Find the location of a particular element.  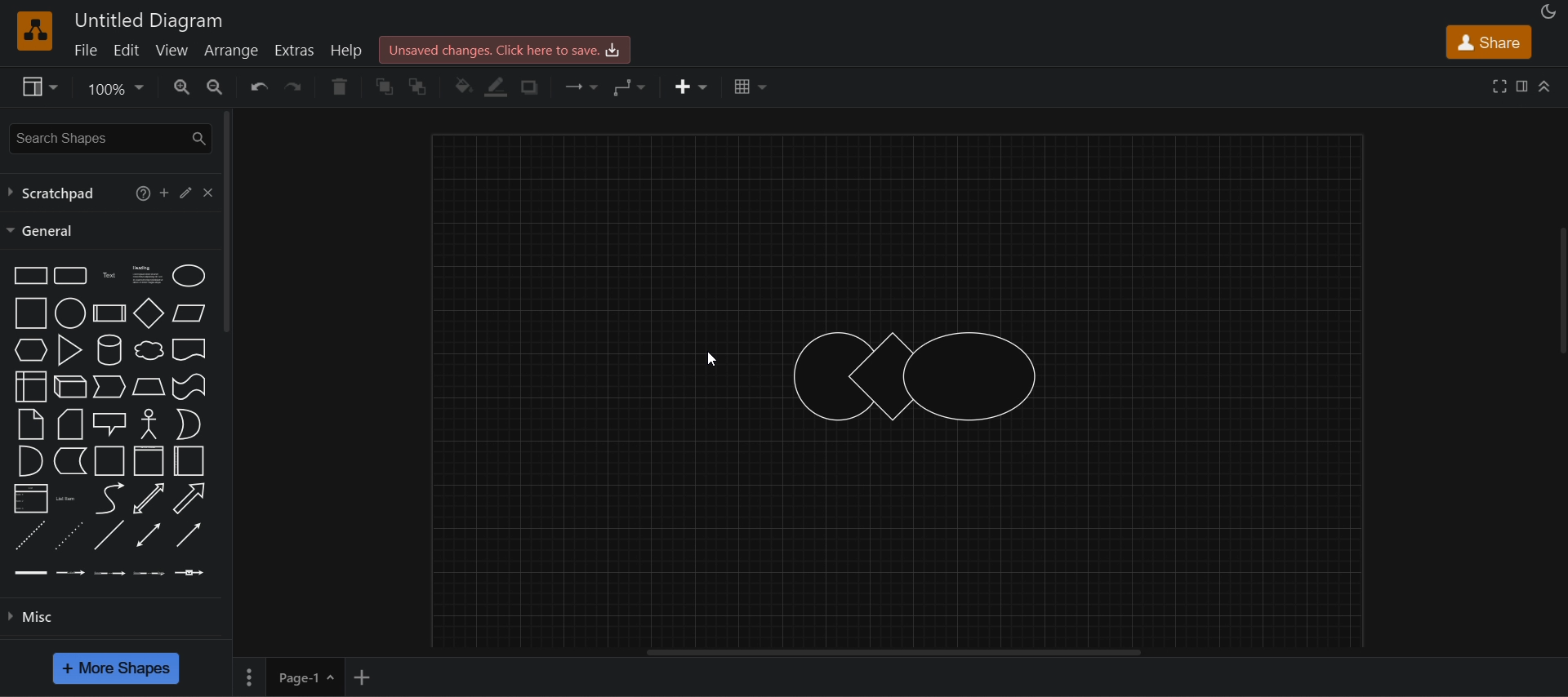

rectangle is located at coordinates (27, 274).